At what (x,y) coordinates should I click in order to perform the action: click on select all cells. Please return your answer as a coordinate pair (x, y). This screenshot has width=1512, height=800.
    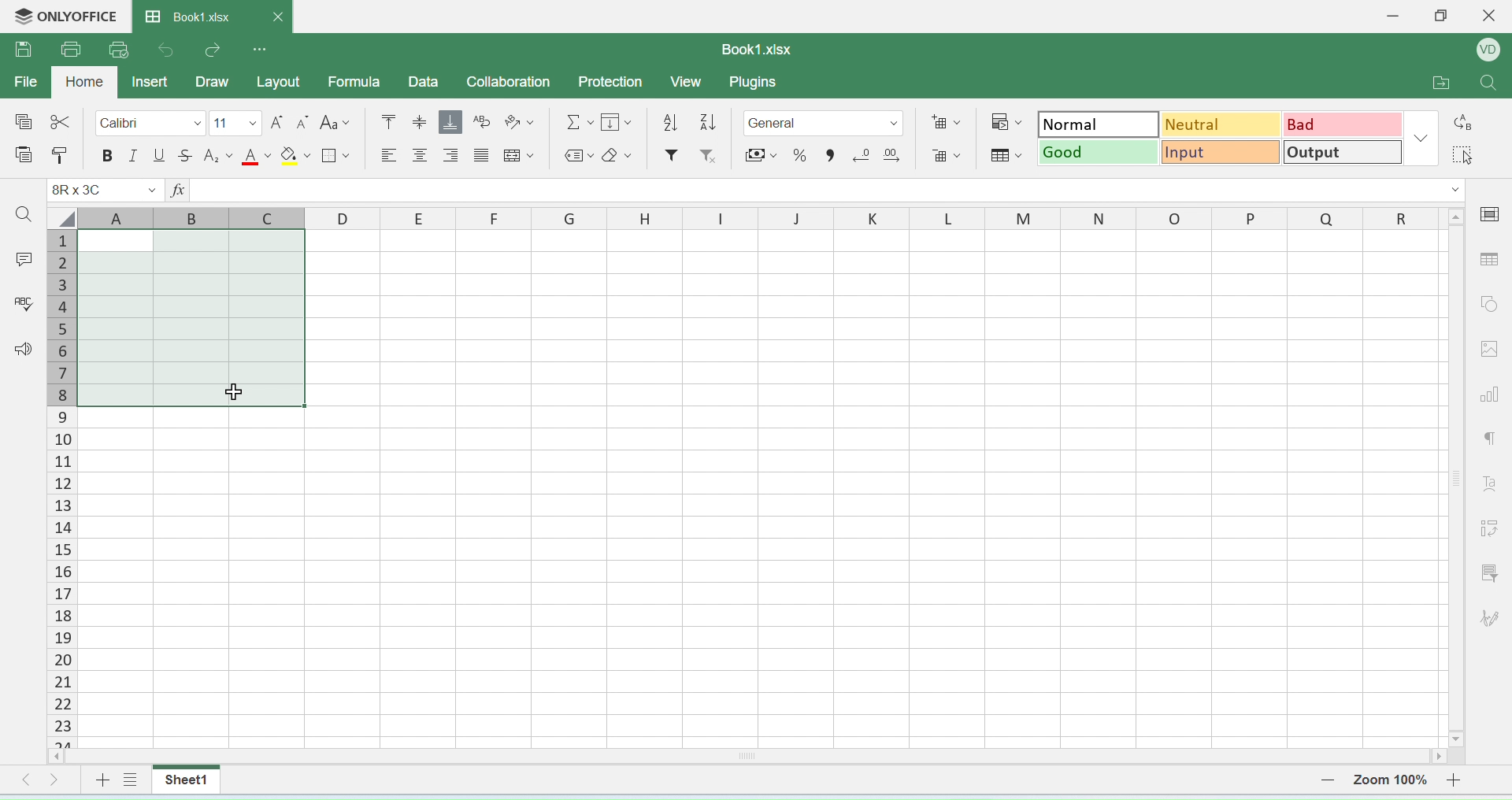
    Looking at the image, I should click on (61, 217).